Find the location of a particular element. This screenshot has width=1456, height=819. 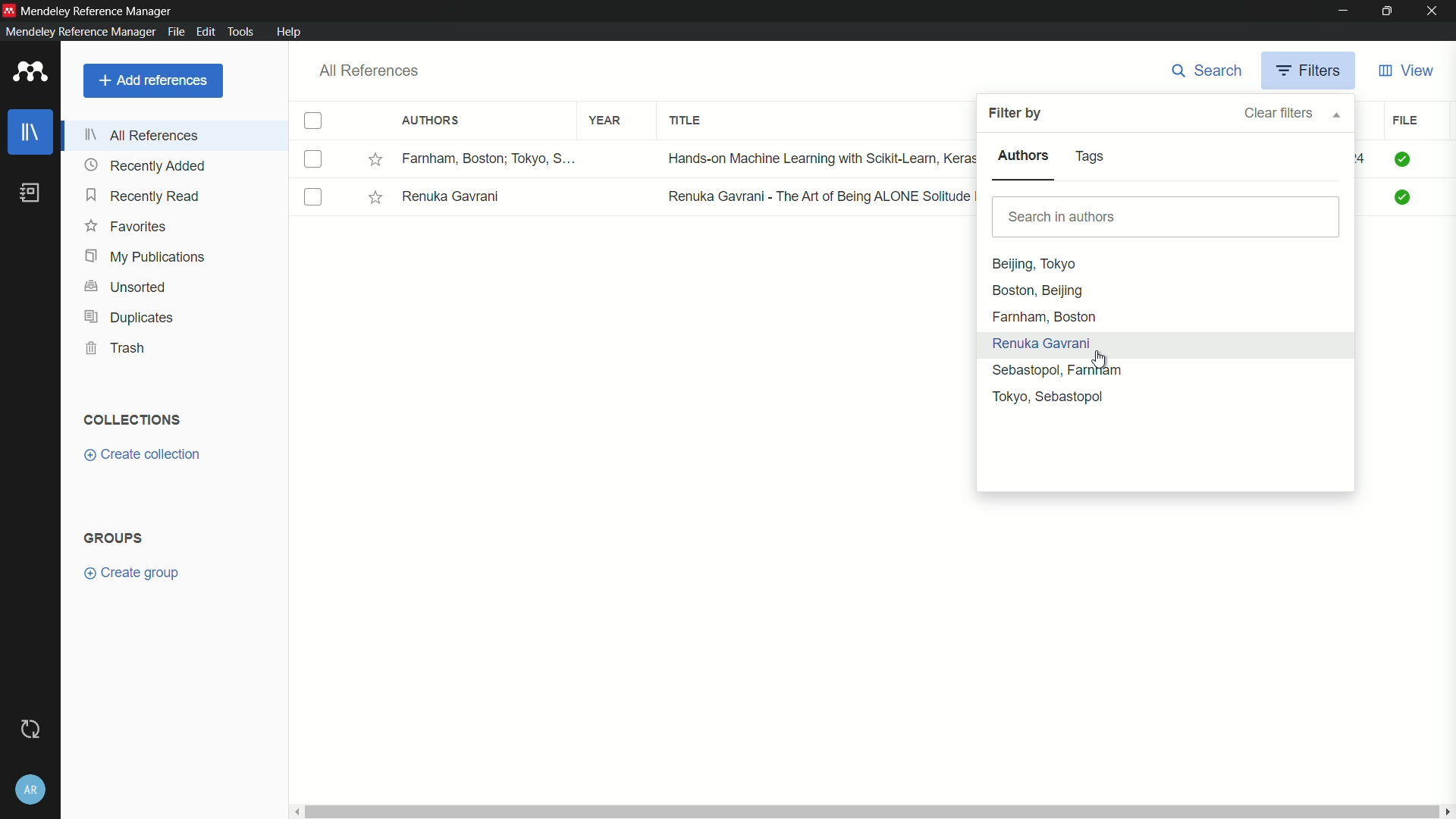

sync is located at coordinates (33, 730).